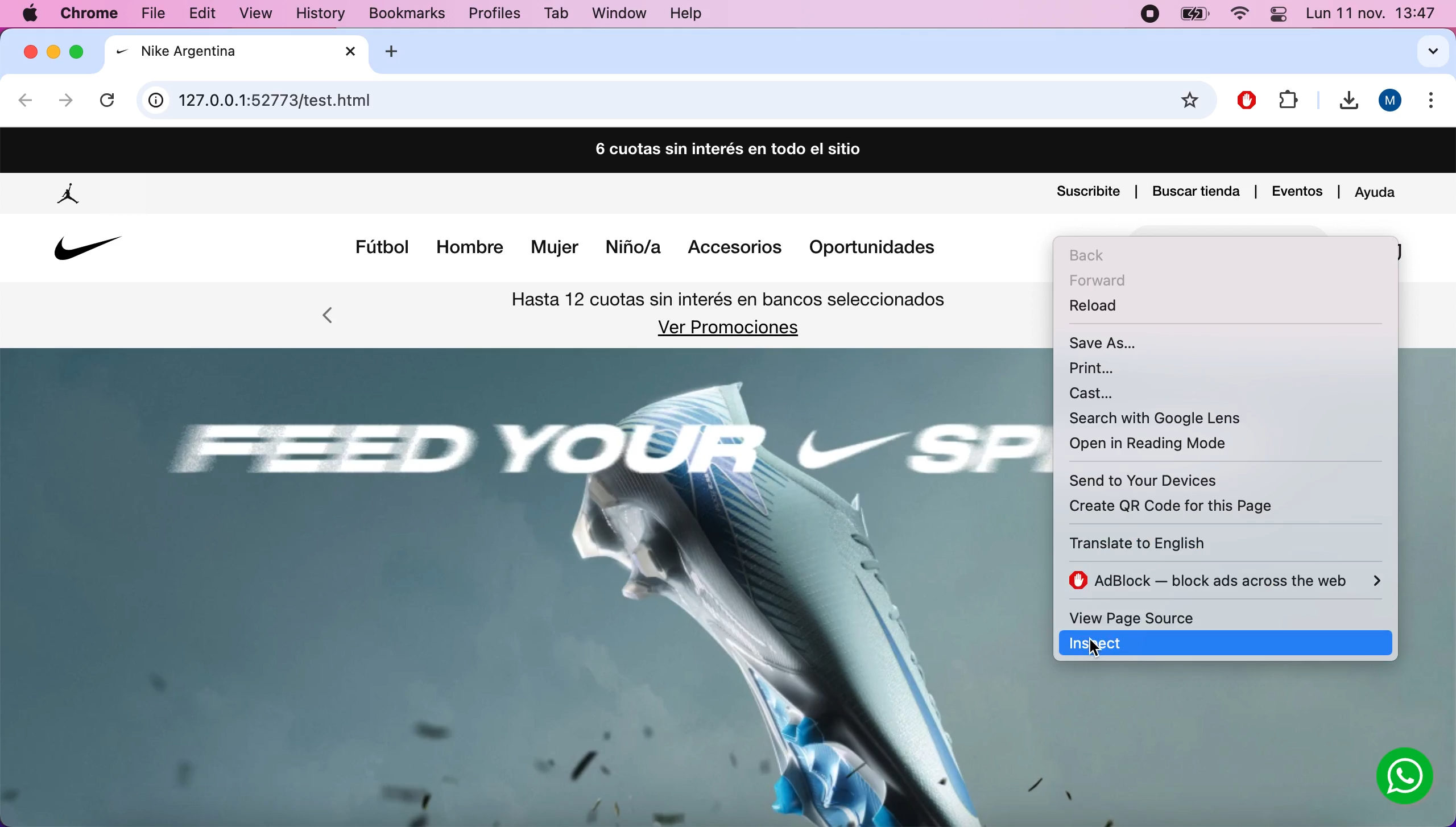  What do you see at coordinates (26, 103) in the screenshot?
I see `back` at bounding box center [26, 103].